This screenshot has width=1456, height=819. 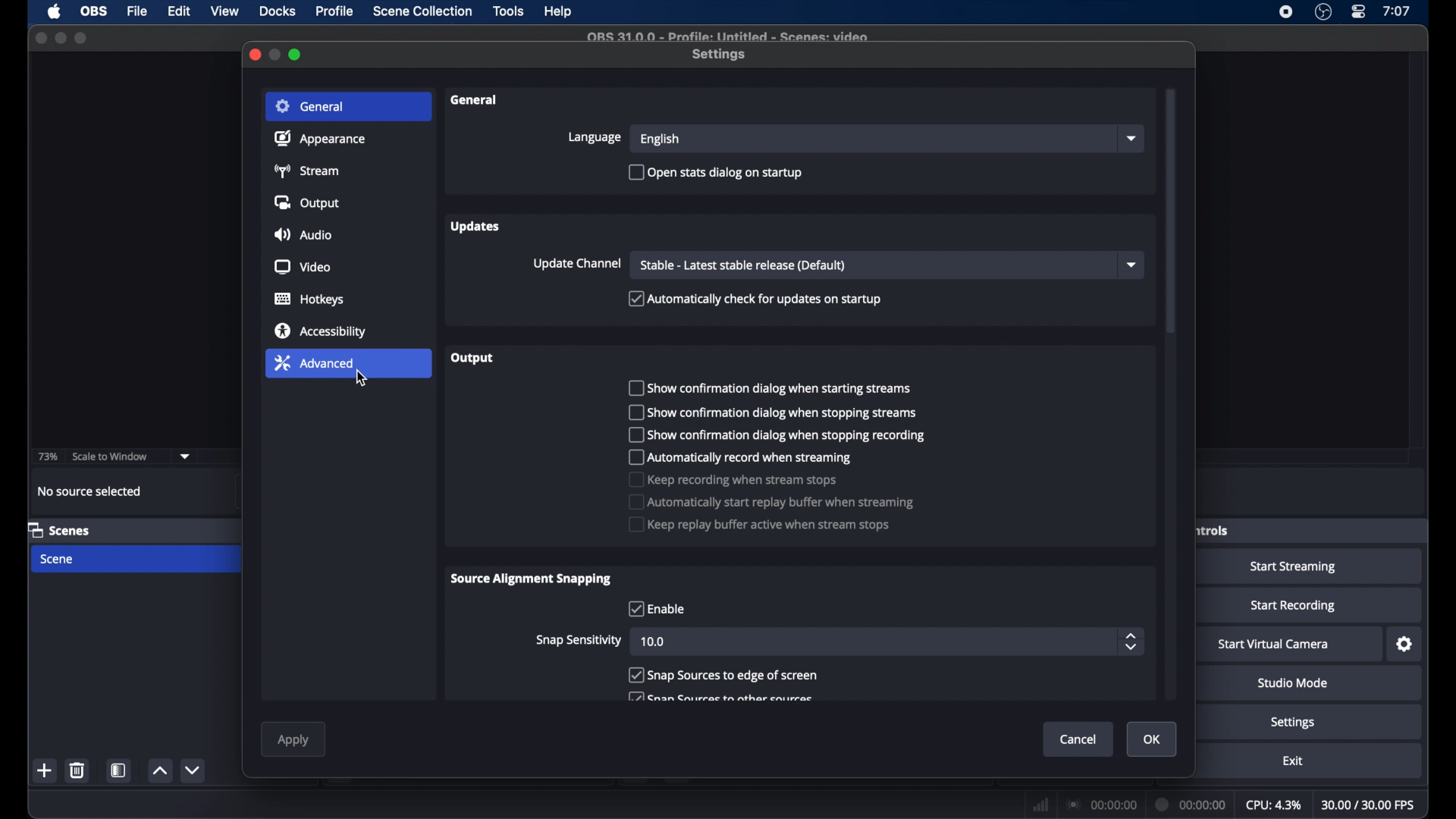 What do you see at coordinates (1397, 11) in the screenshot?
I see `time` at bounding box center [1397, 11].